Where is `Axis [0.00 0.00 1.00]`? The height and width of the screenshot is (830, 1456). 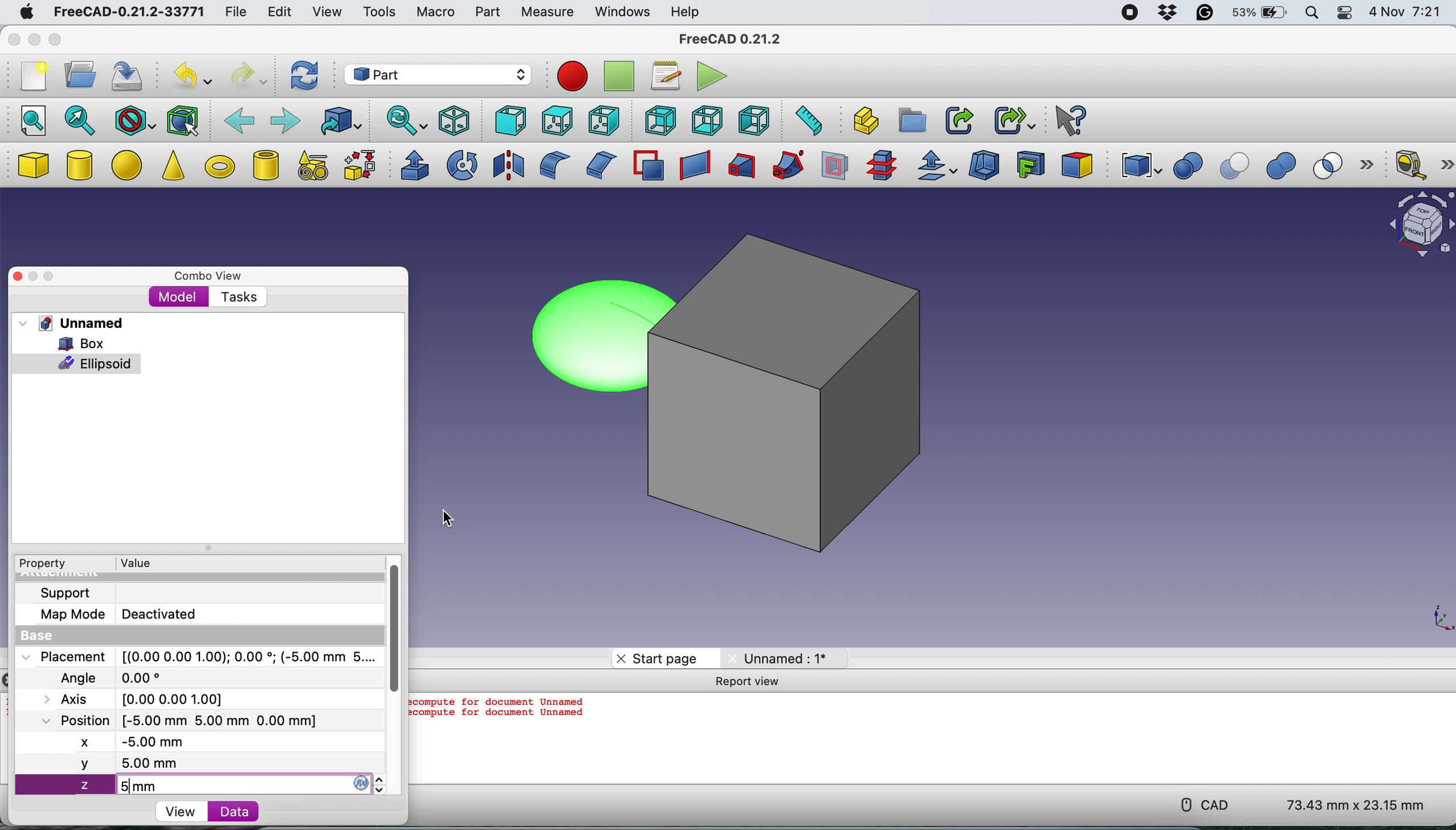
Axis [0.00 0.00 1.00] is located at coordinates (140, 698).